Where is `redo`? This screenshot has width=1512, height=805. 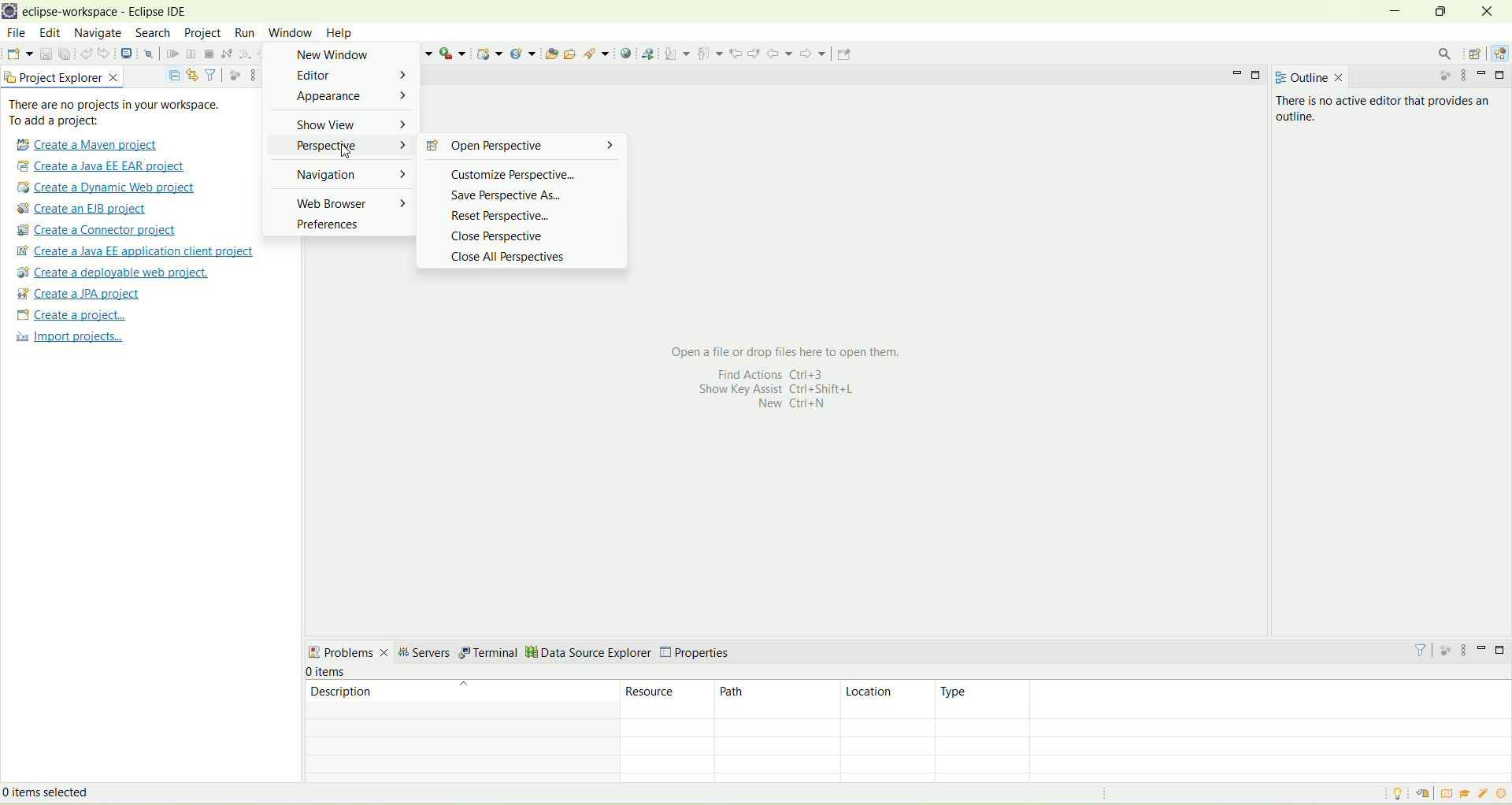
redo is located at coordinates (105, 54).